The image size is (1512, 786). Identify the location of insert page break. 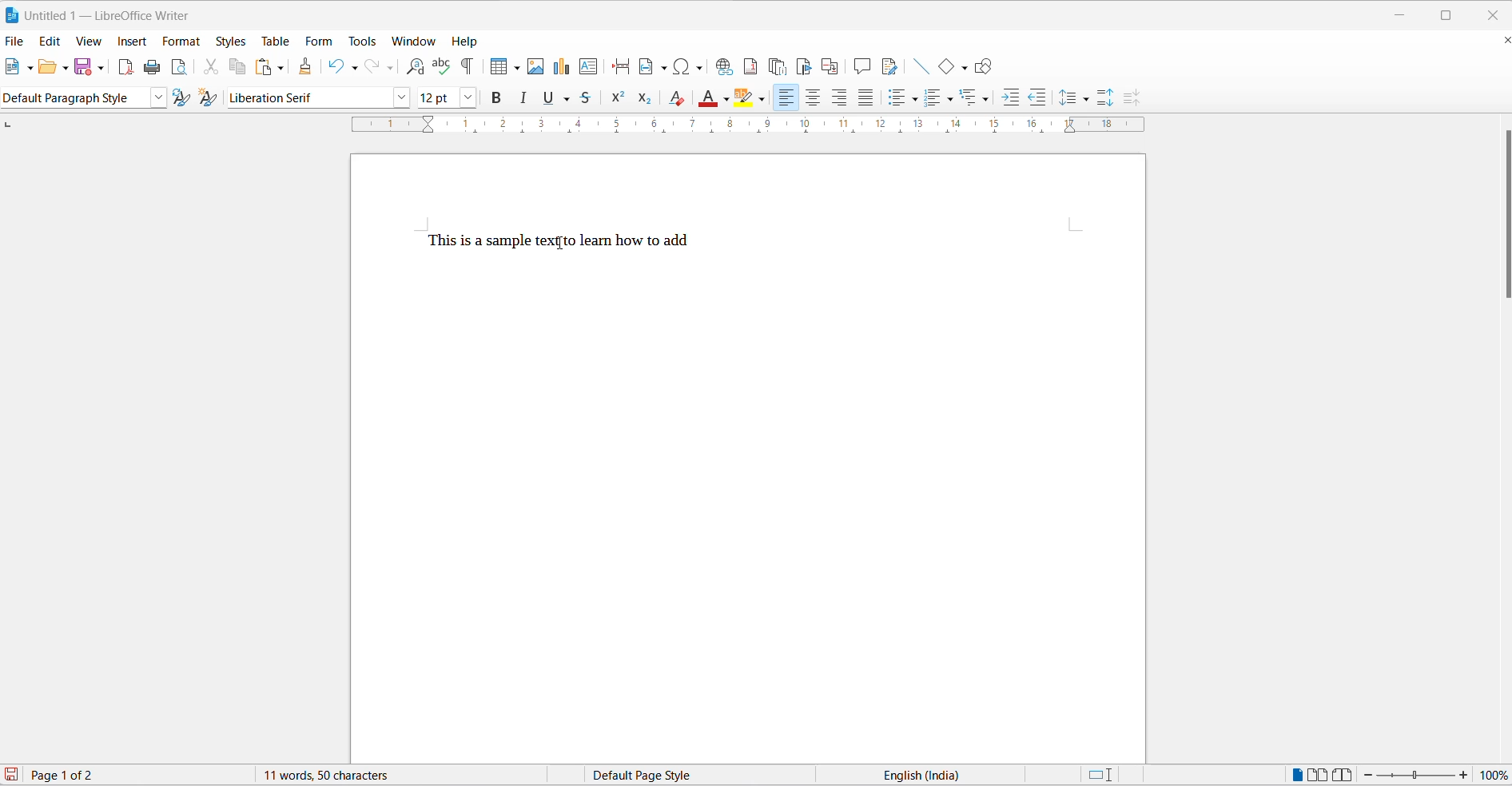
(620, 68).